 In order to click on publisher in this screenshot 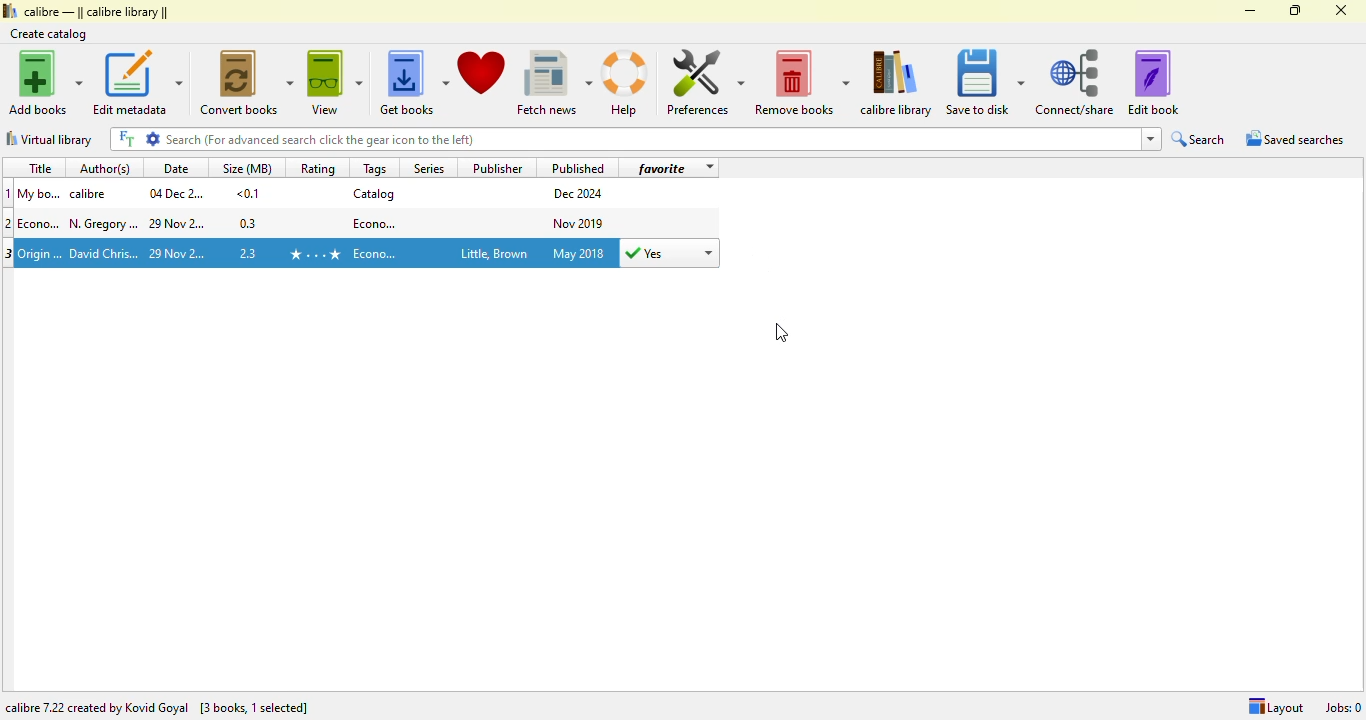, I will do `click(492, 255)`.